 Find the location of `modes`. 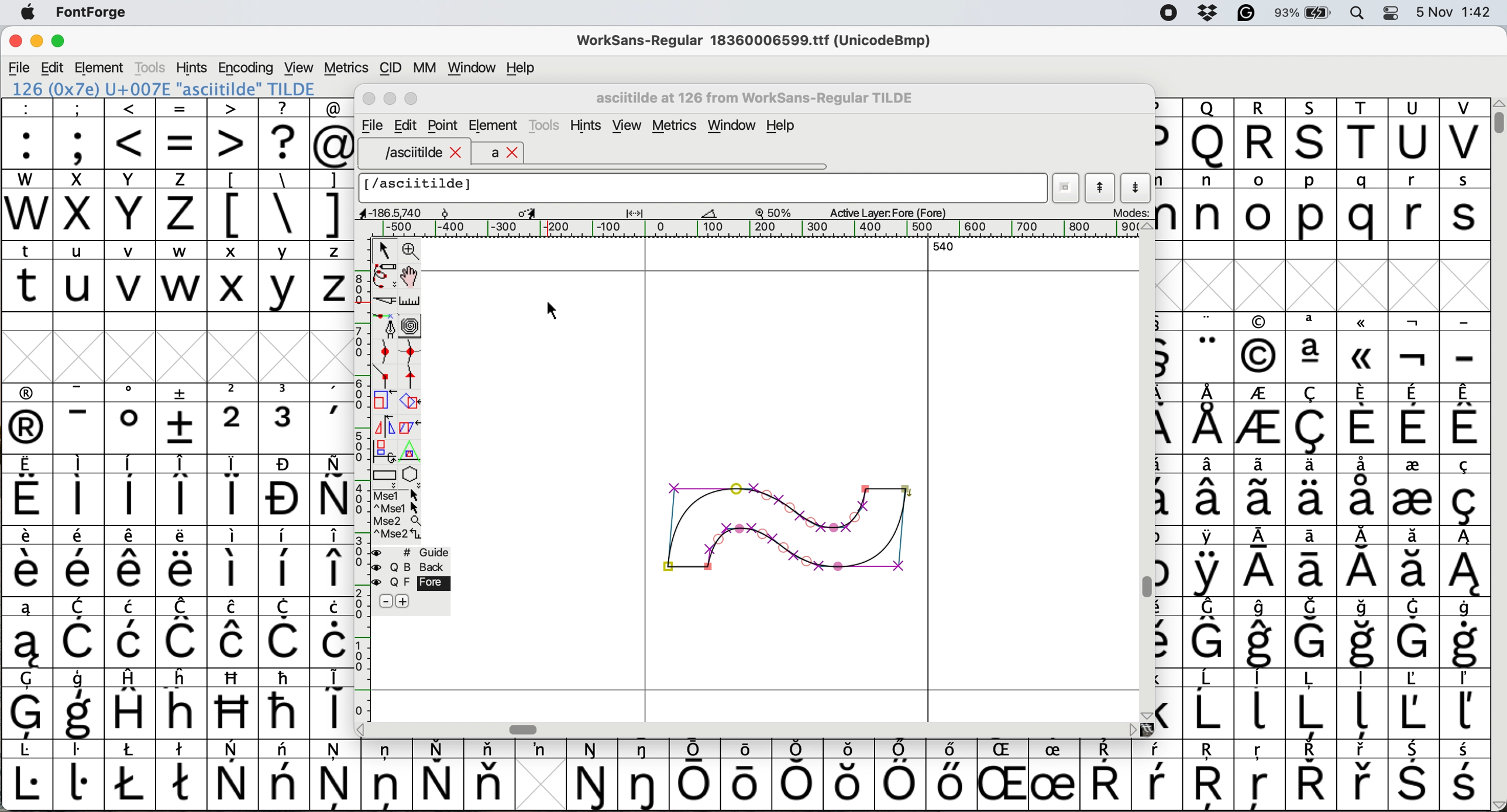

modes is located at coordinates (1130, 212).